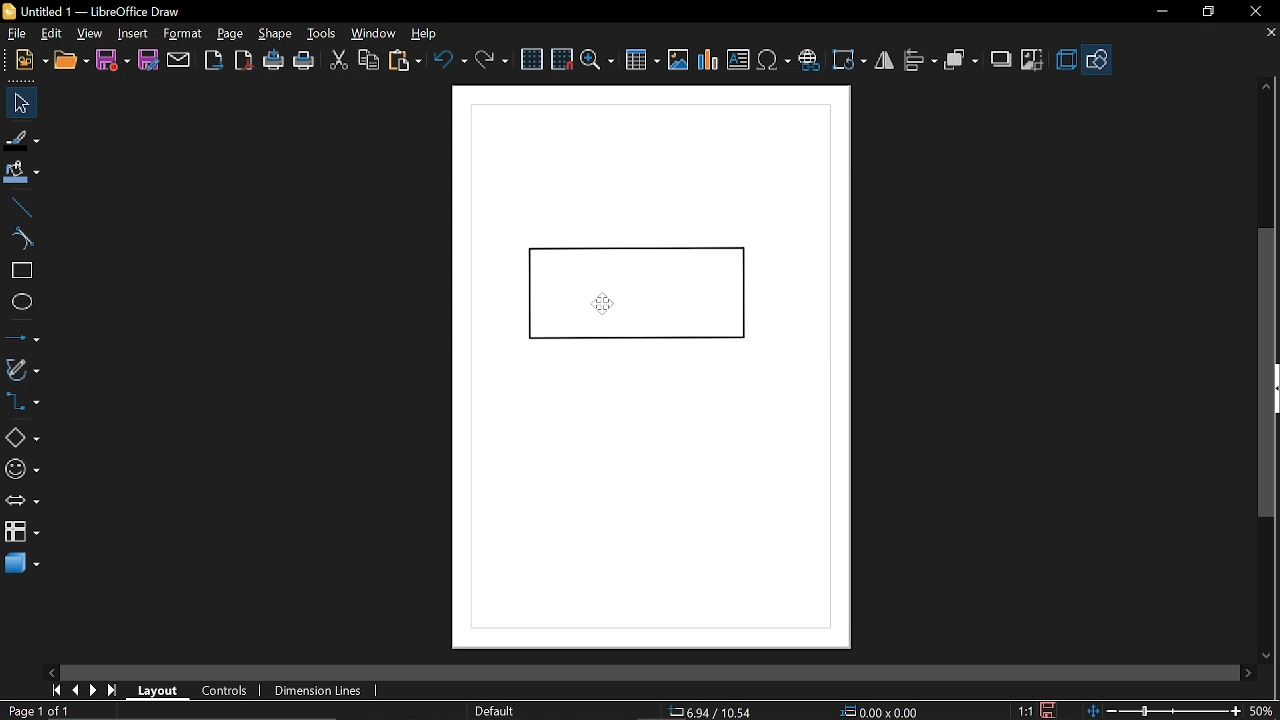 The image size is (1280, 720). I want to click on insert hyperlink, so click(809, 60).